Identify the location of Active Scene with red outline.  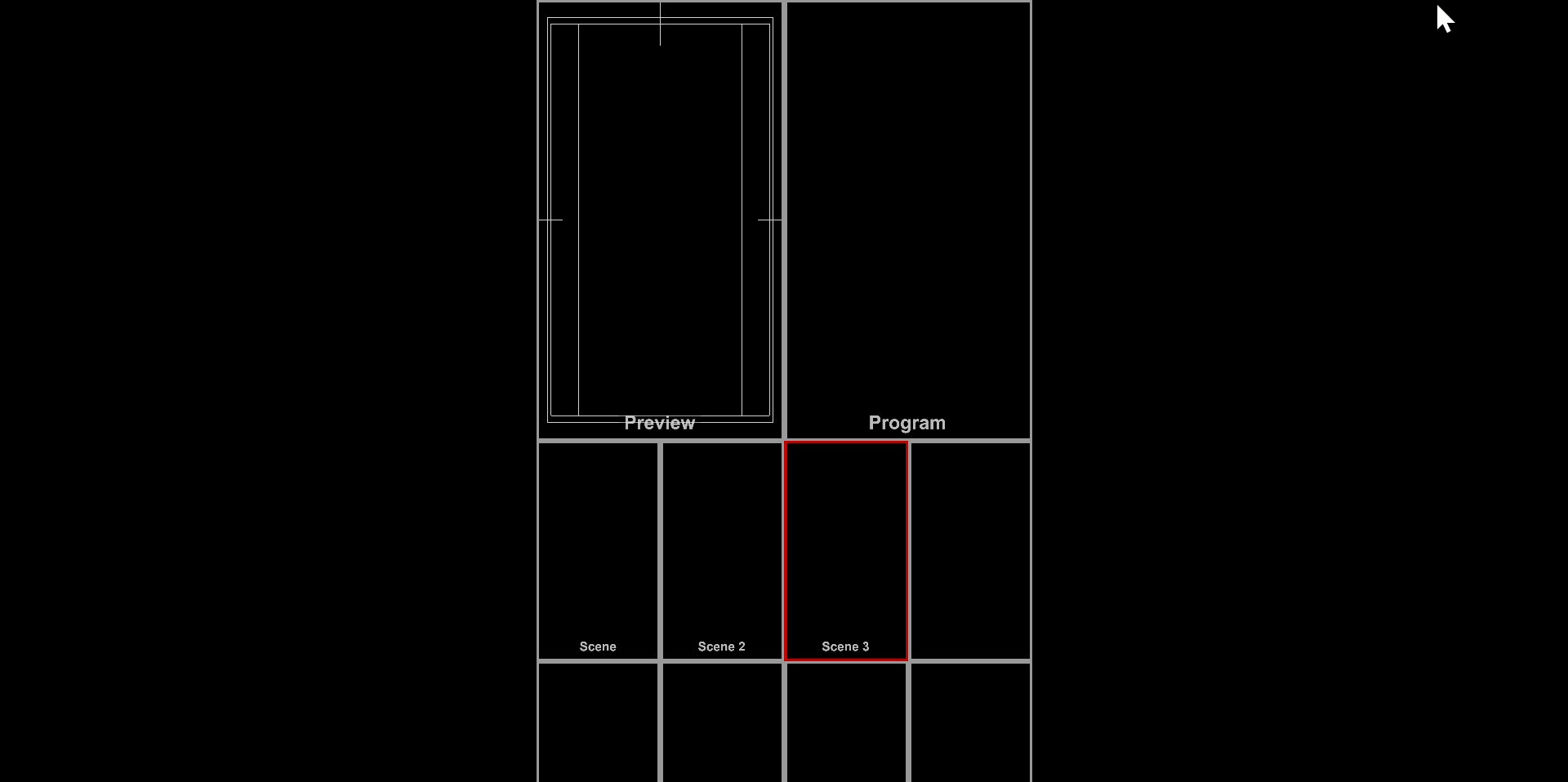
(849, 551).